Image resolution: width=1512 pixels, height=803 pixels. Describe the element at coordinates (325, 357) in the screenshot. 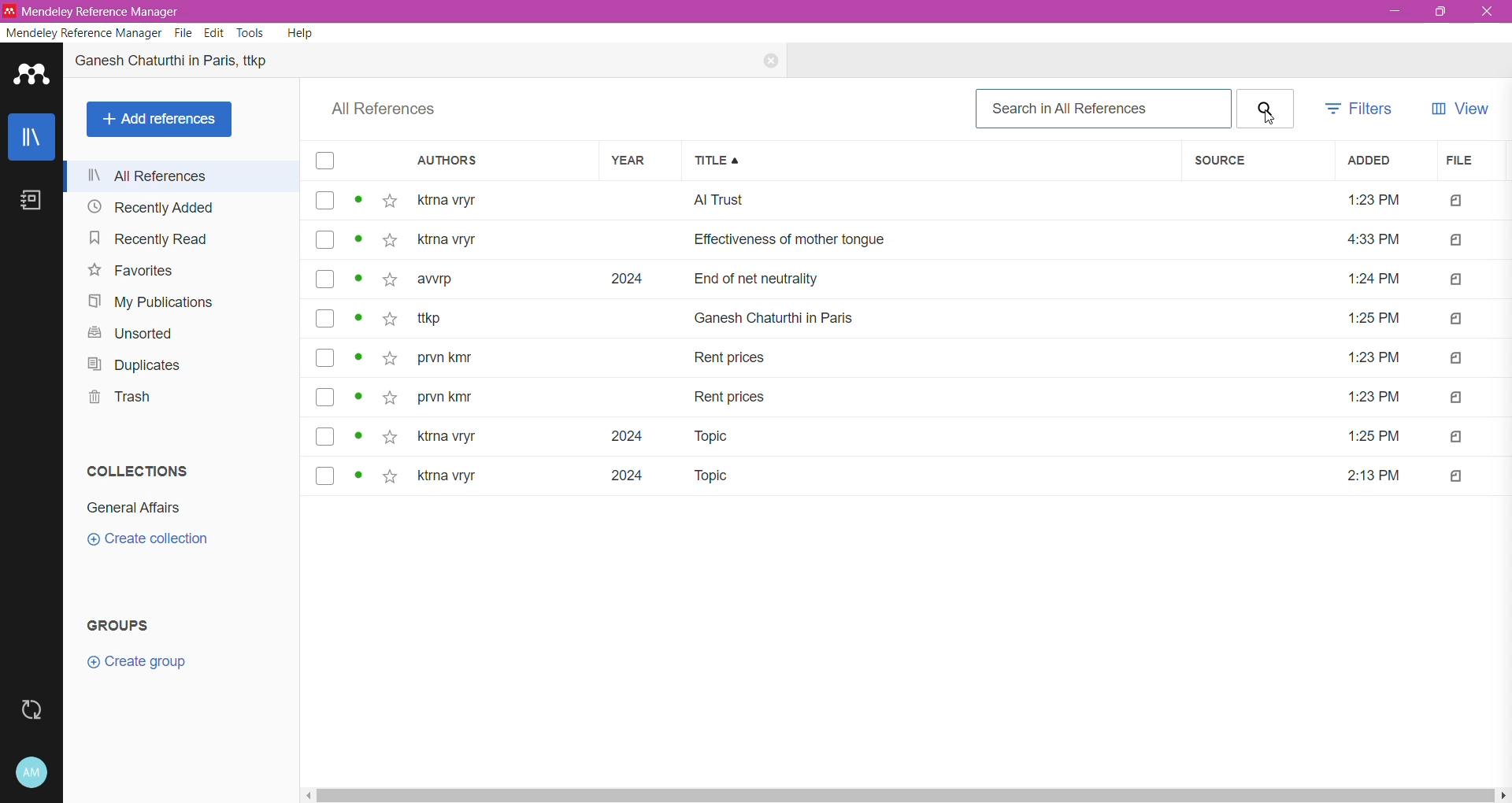

I see `select reference ` at that location.